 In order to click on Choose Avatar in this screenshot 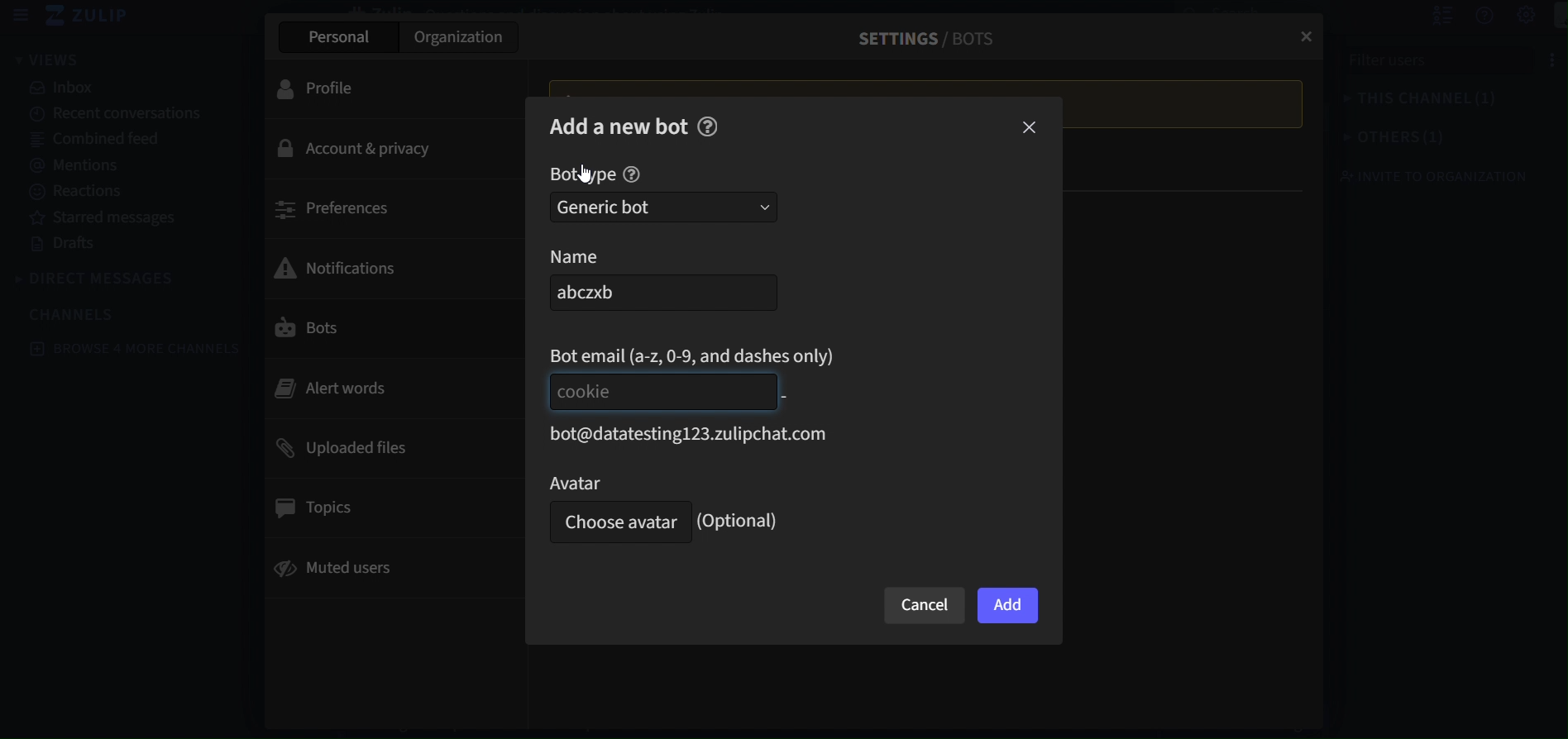, I will do `click(616, 523)`.